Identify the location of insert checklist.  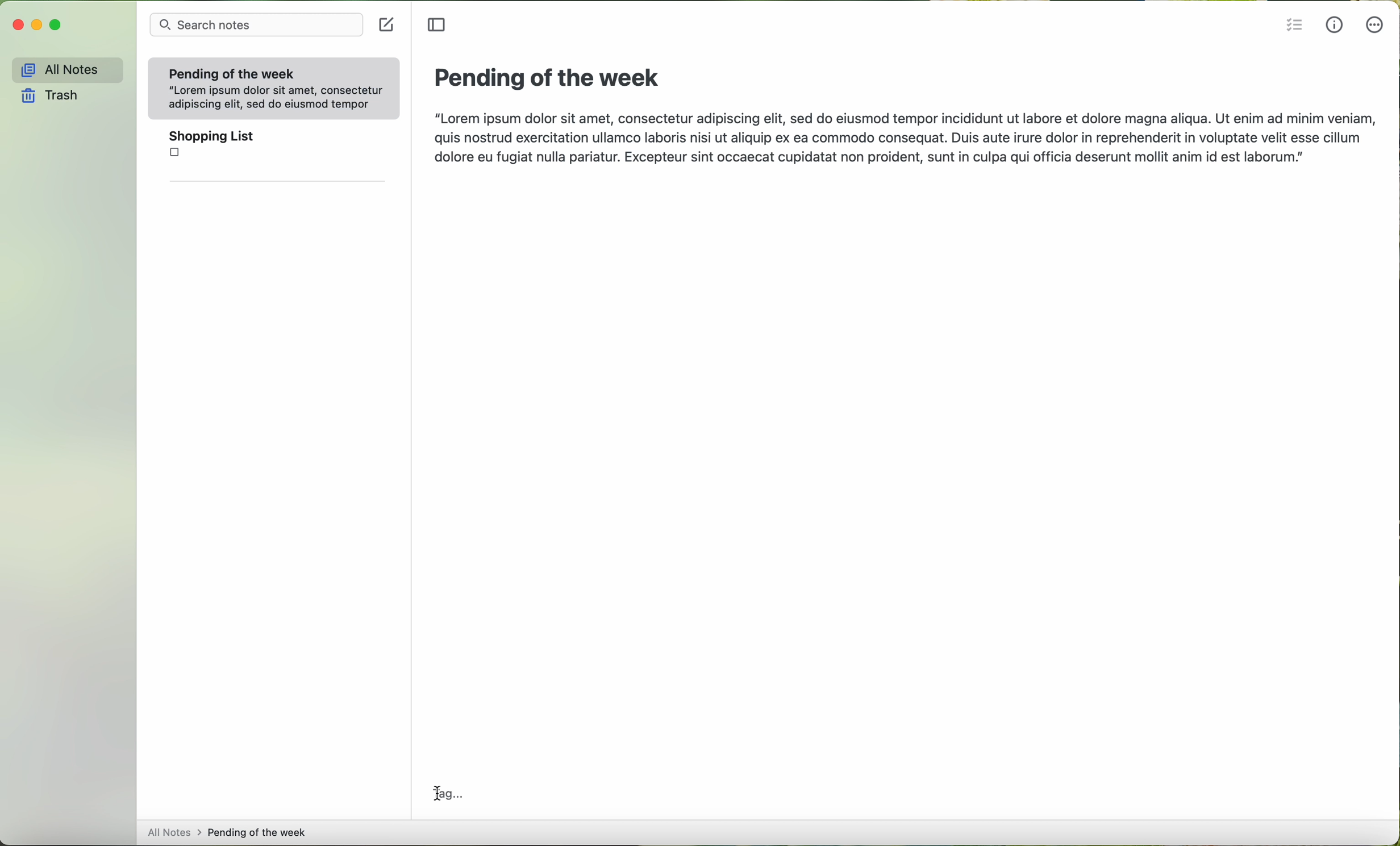
(1293, 26).